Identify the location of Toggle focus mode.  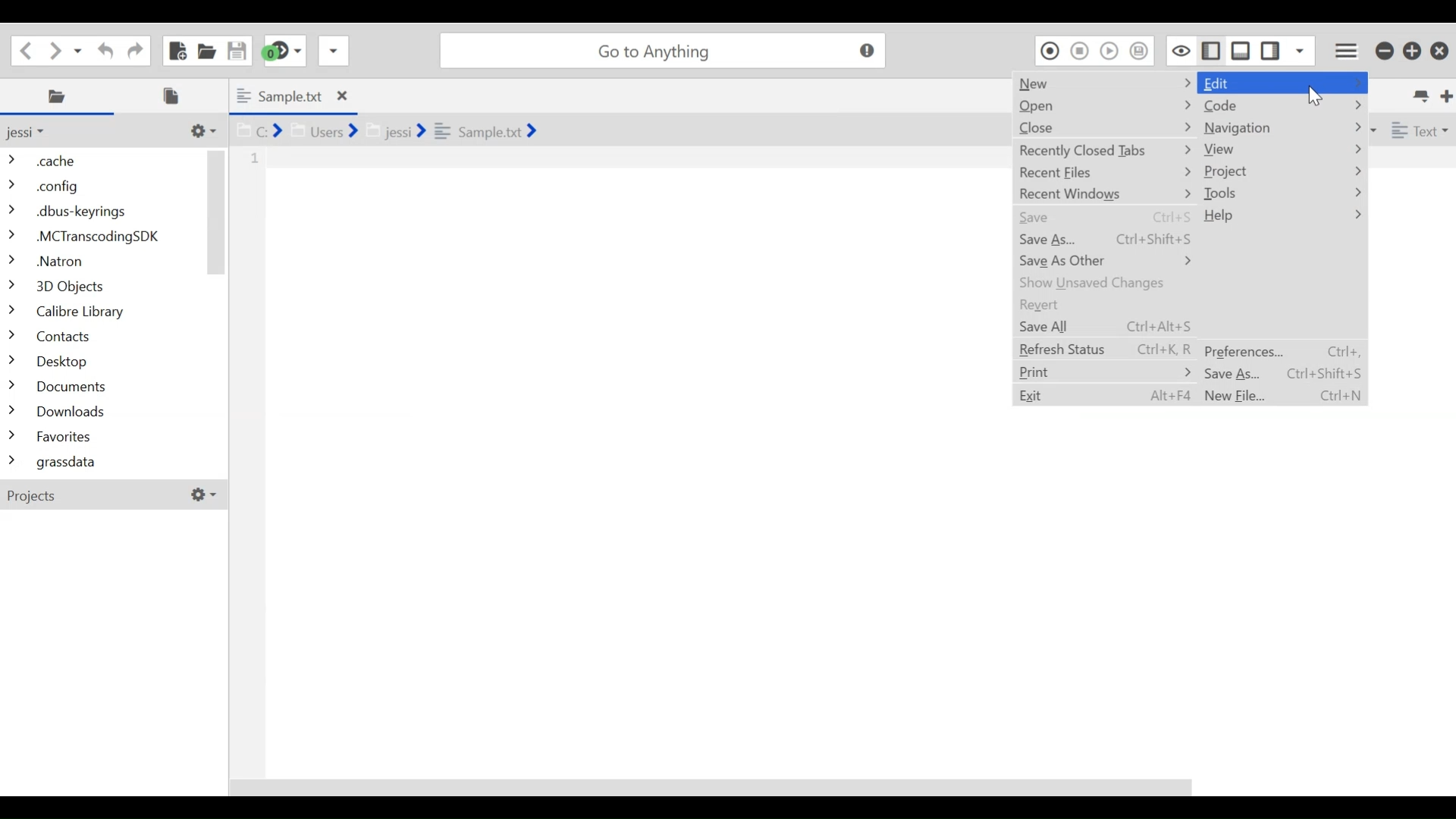
(1179, 50).